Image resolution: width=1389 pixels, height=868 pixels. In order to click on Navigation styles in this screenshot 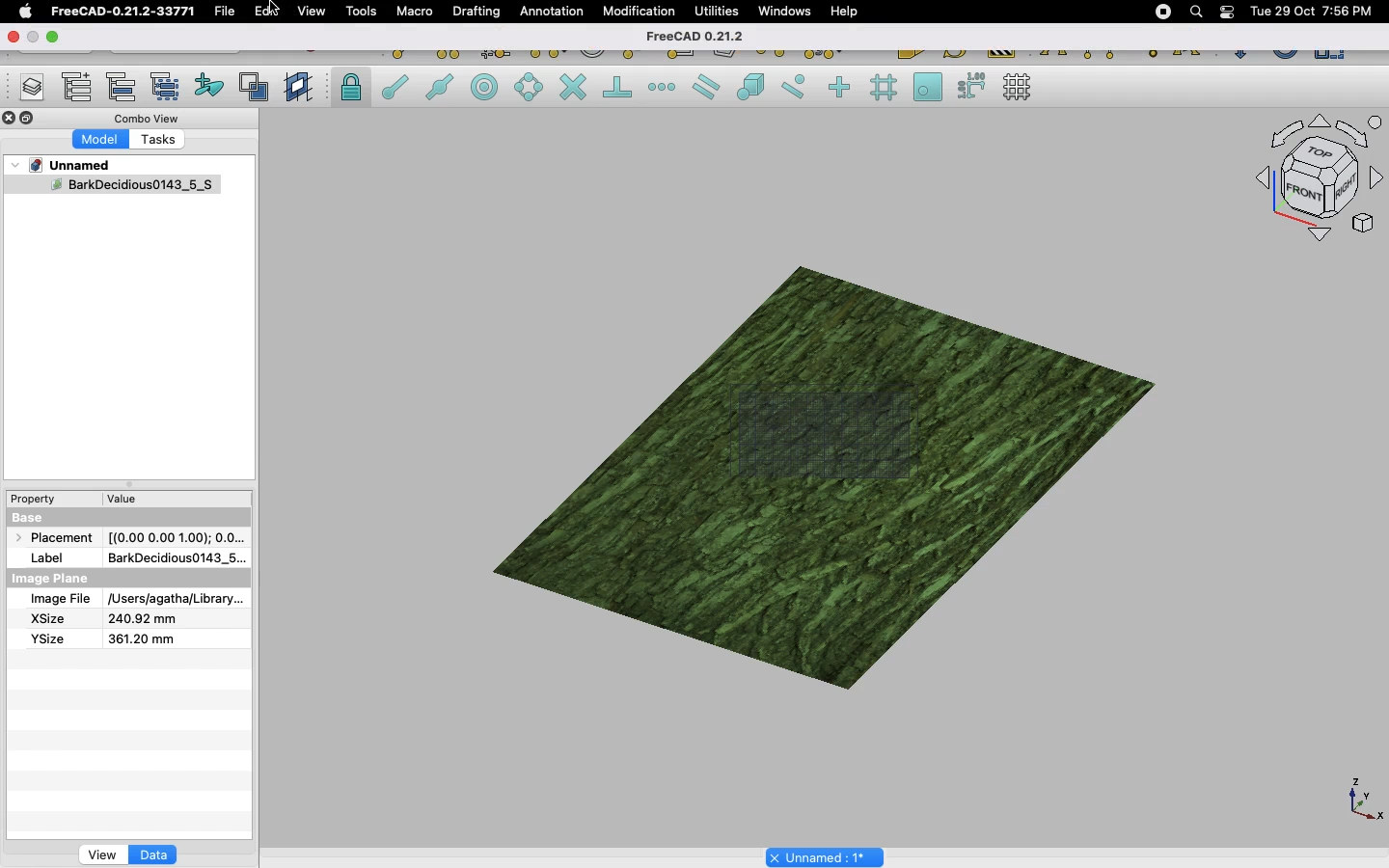, I will do `click(1318, 181)`.